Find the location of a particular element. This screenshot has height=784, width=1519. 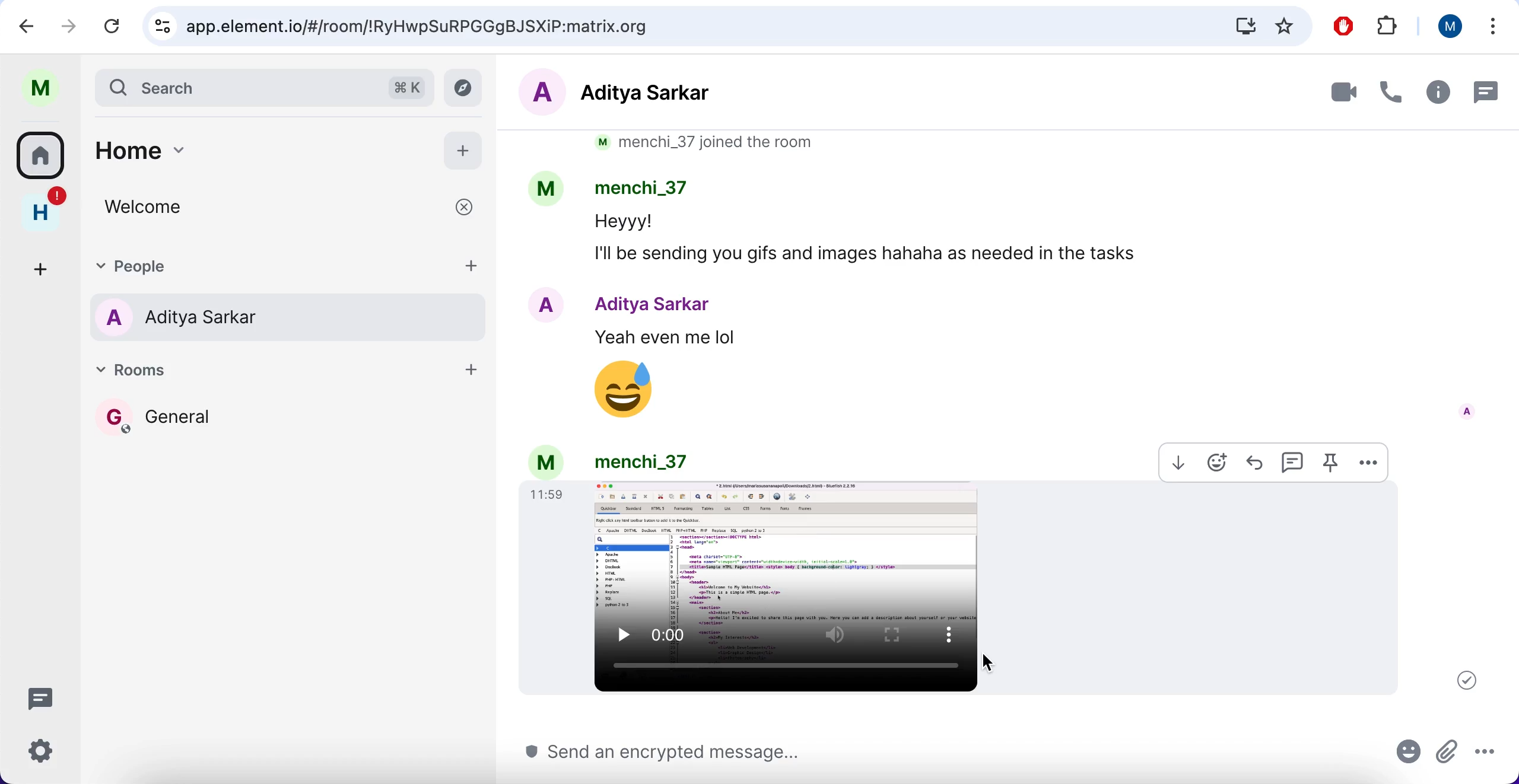

cursor is located at coordinates (989, 662).